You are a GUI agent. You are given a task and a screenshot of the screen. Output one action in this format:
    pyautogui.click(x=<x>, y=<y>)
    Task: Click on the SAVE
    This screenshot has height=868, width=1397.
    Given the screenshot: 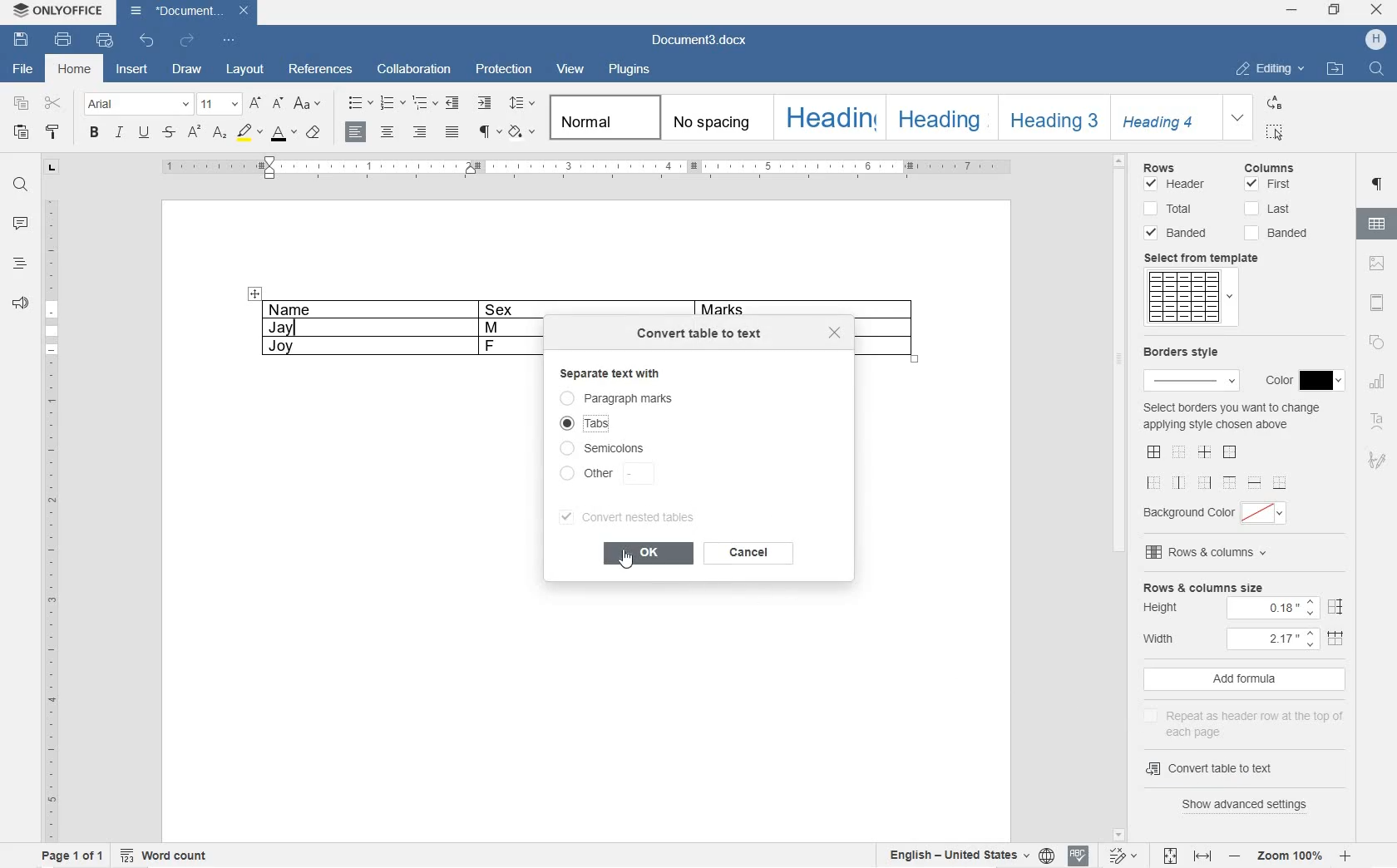 What is the action you would take?
    pyautogui.click(x=22, y=40)
    